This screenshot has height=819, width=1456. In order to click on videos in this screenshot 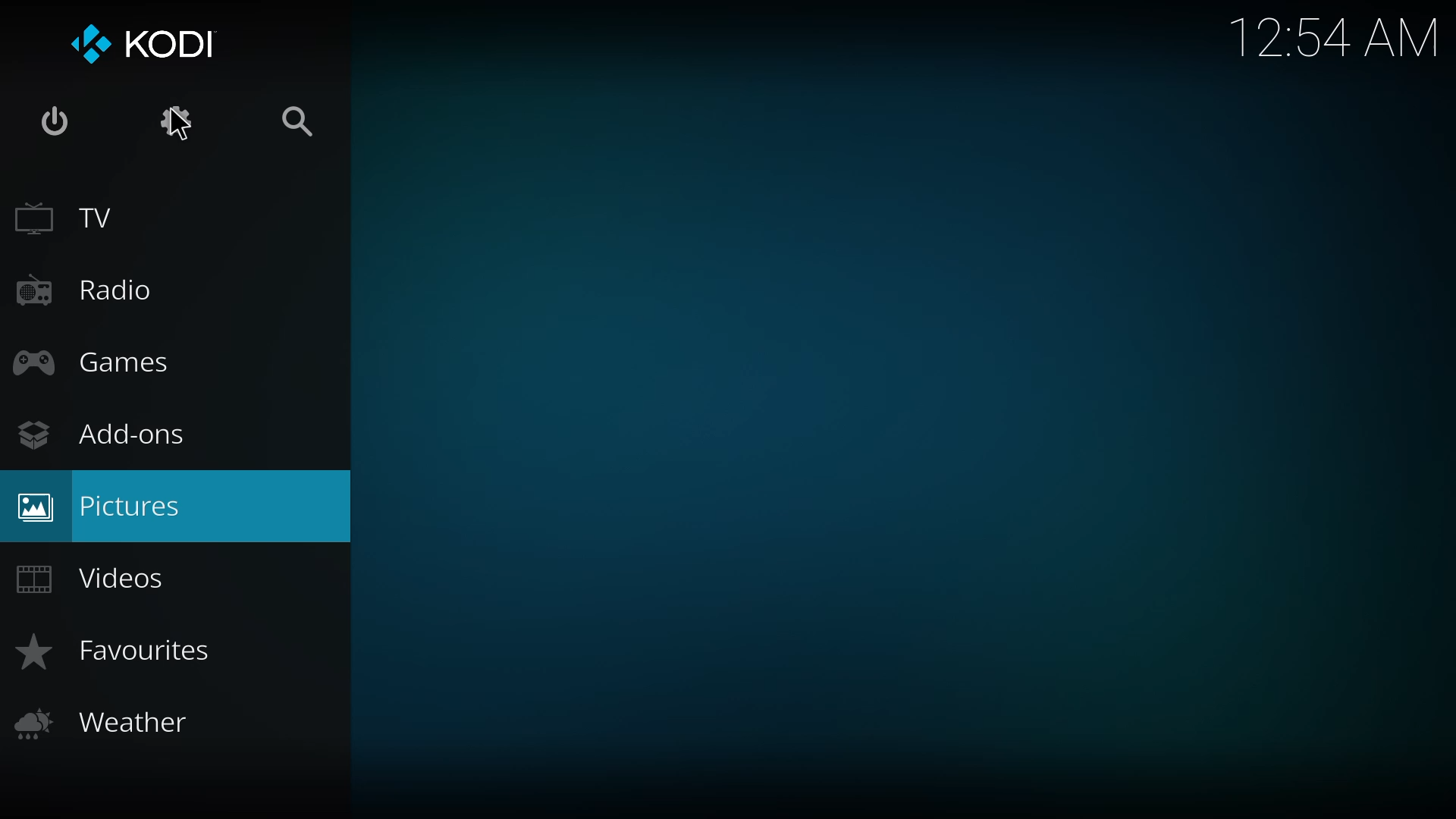, I will do `click(96, 579)`.